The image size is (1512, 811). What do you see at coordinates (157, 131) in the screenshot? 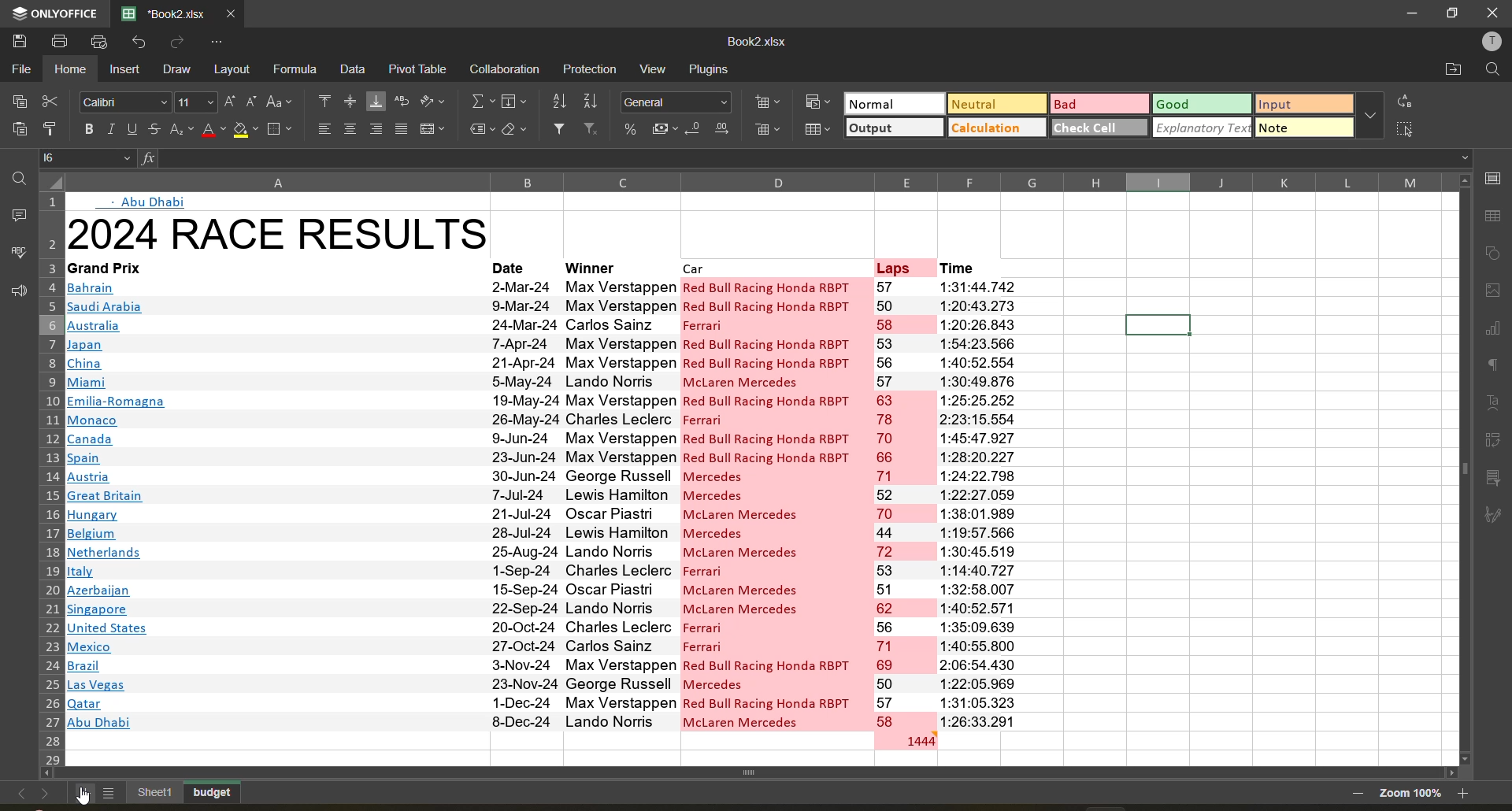
I see `strikethrough` at bounding box center [157, 131].